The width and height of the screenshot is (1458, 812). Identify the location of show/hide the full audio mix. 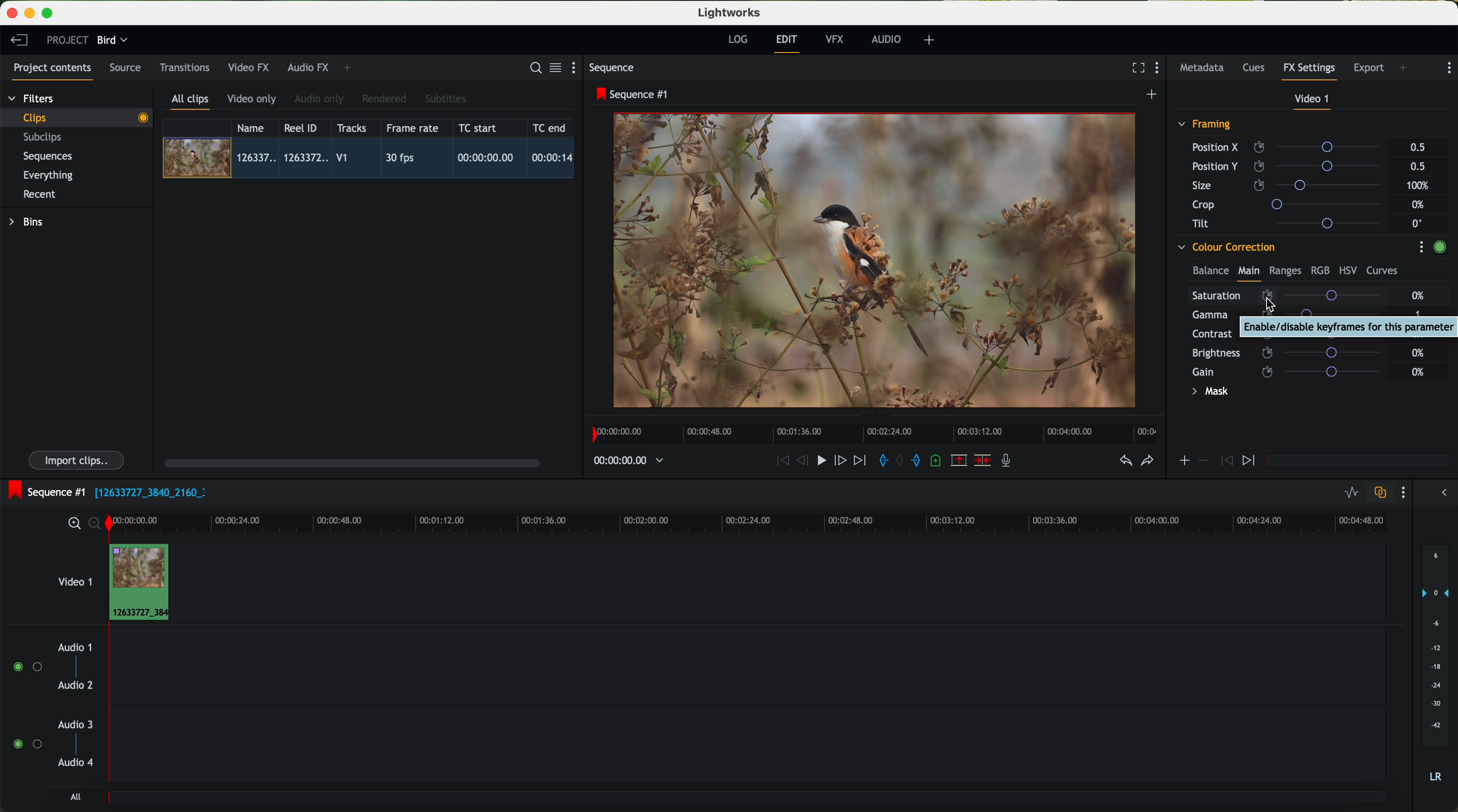
(1440, 493).